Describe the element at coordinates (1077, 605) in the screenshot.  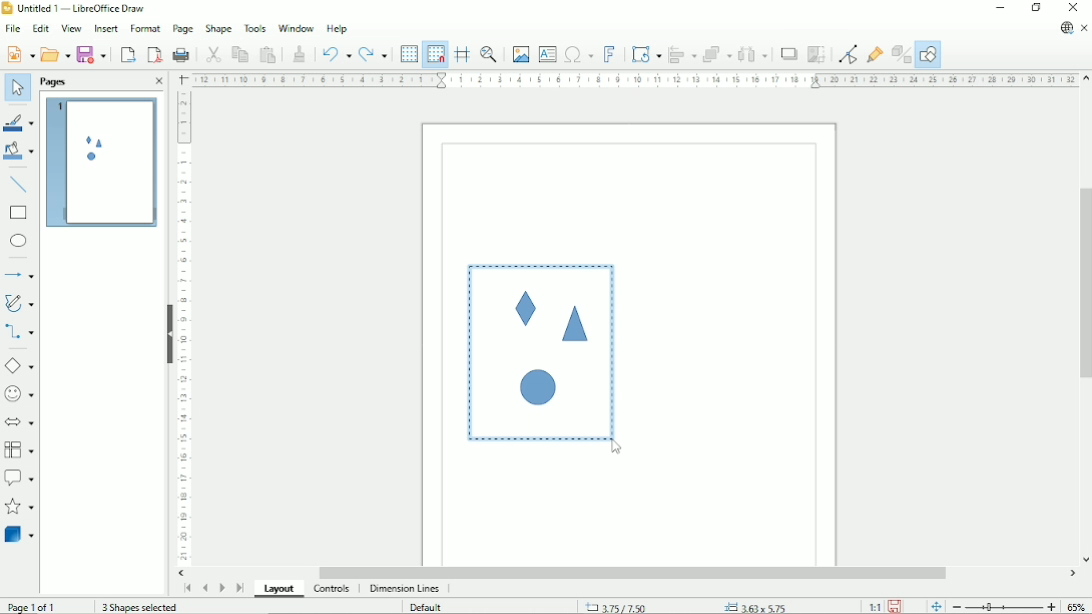
I see `Zoom factor` at that location.